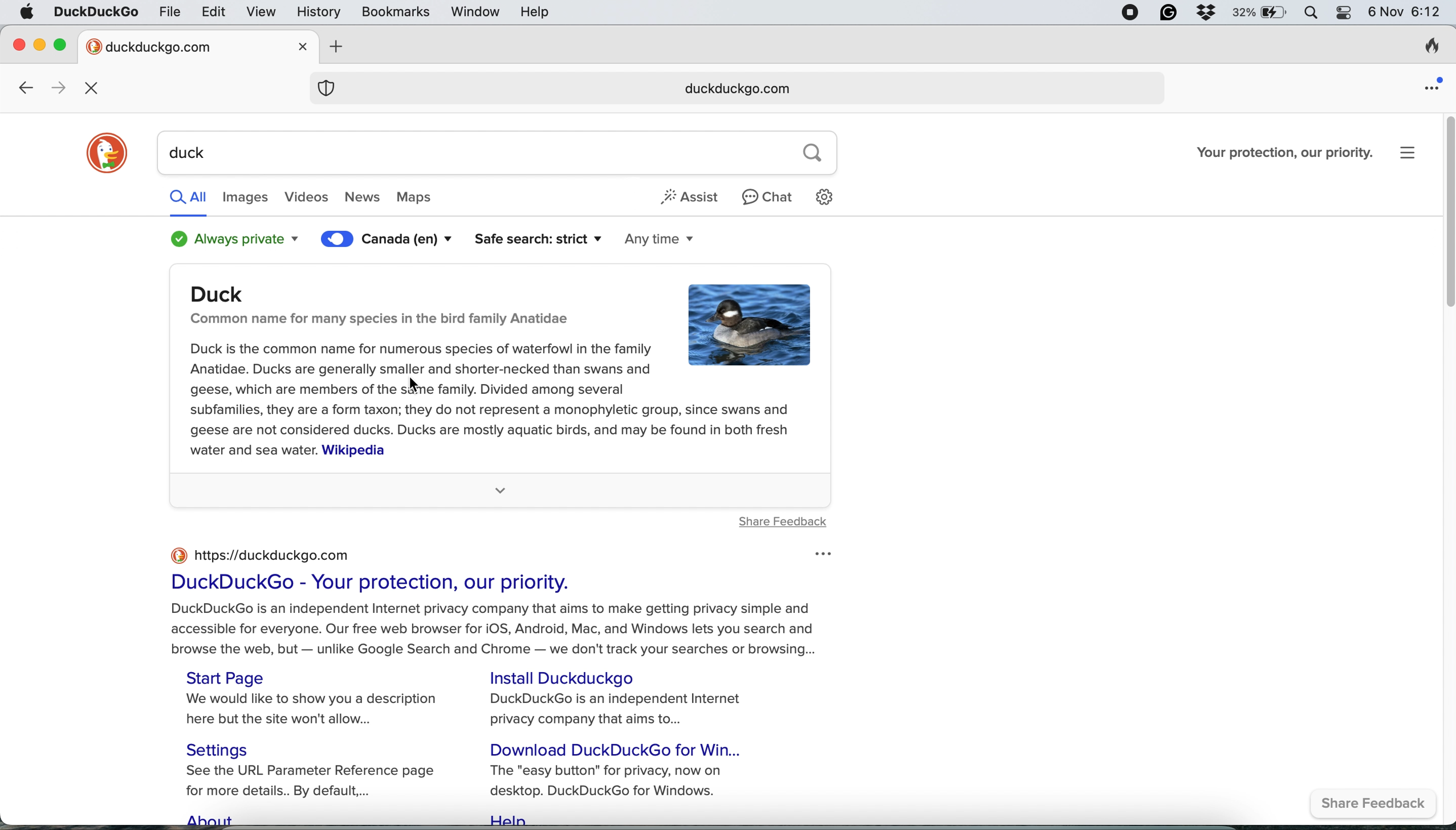 The height and width of the screenshot is (830, 1456). I want to click on Common name for many species in the bird family Anatidae, so click(380, 319).